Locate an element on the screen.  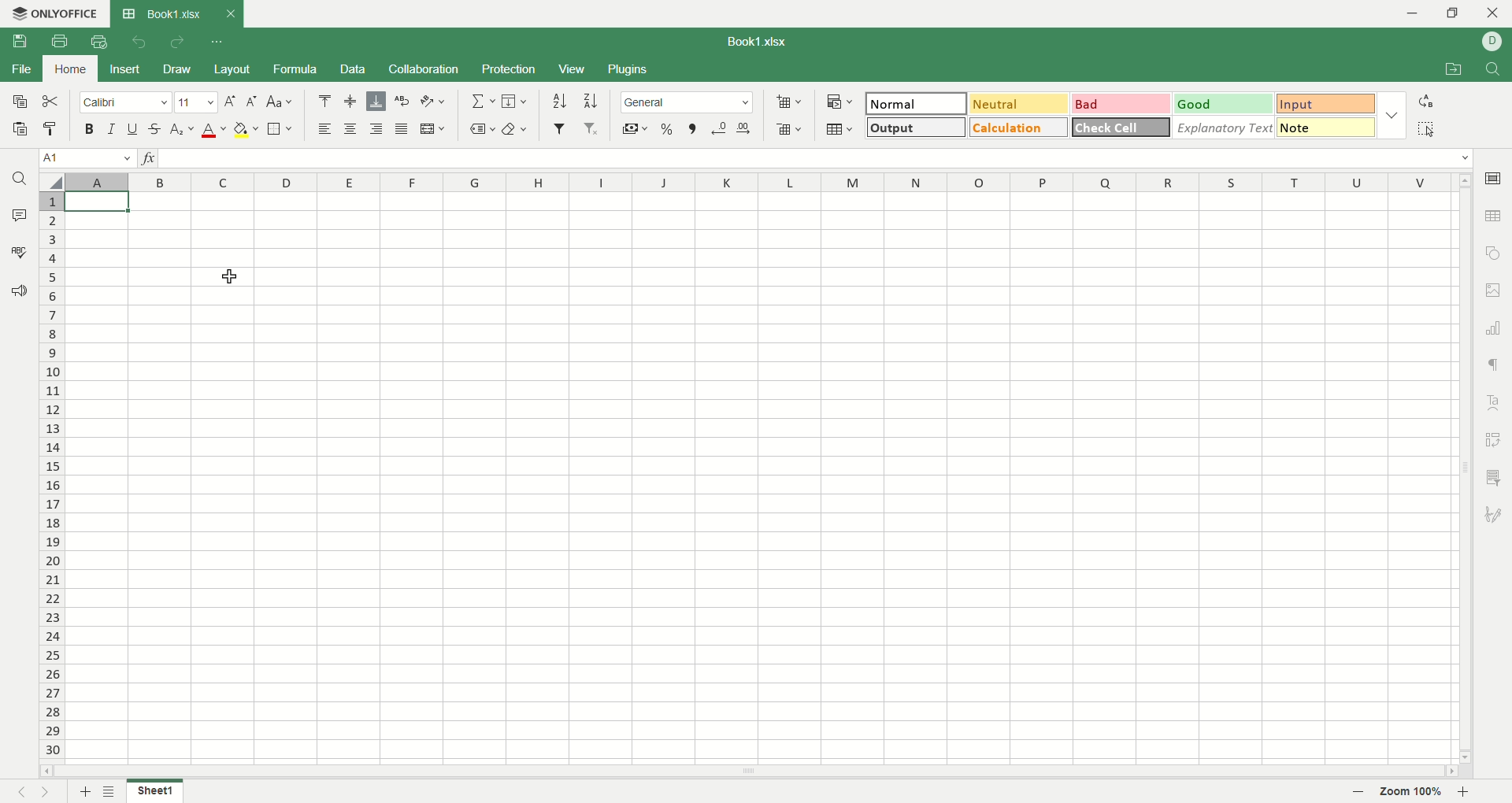
format as table template is located at coordinates (839, 129).